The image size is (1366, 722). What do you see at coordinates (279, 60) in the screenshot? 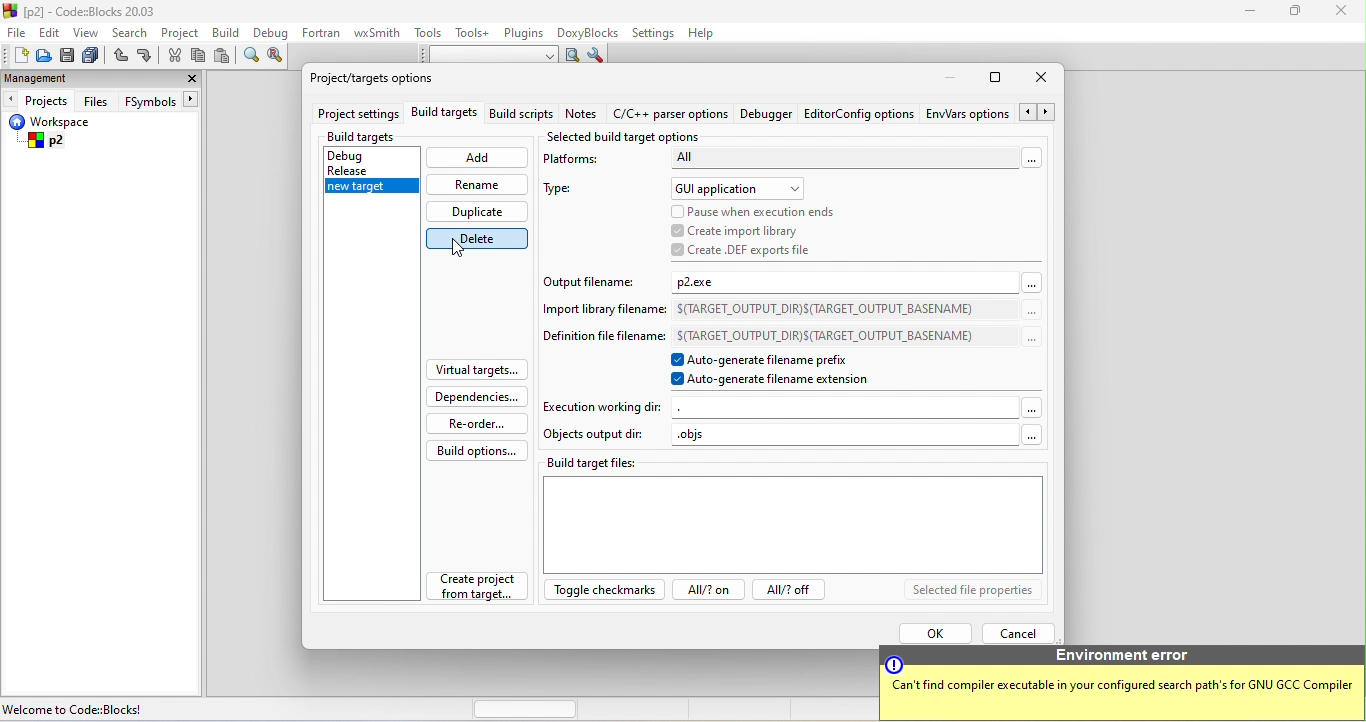
I see `replace` at bounding box center [279, 60].